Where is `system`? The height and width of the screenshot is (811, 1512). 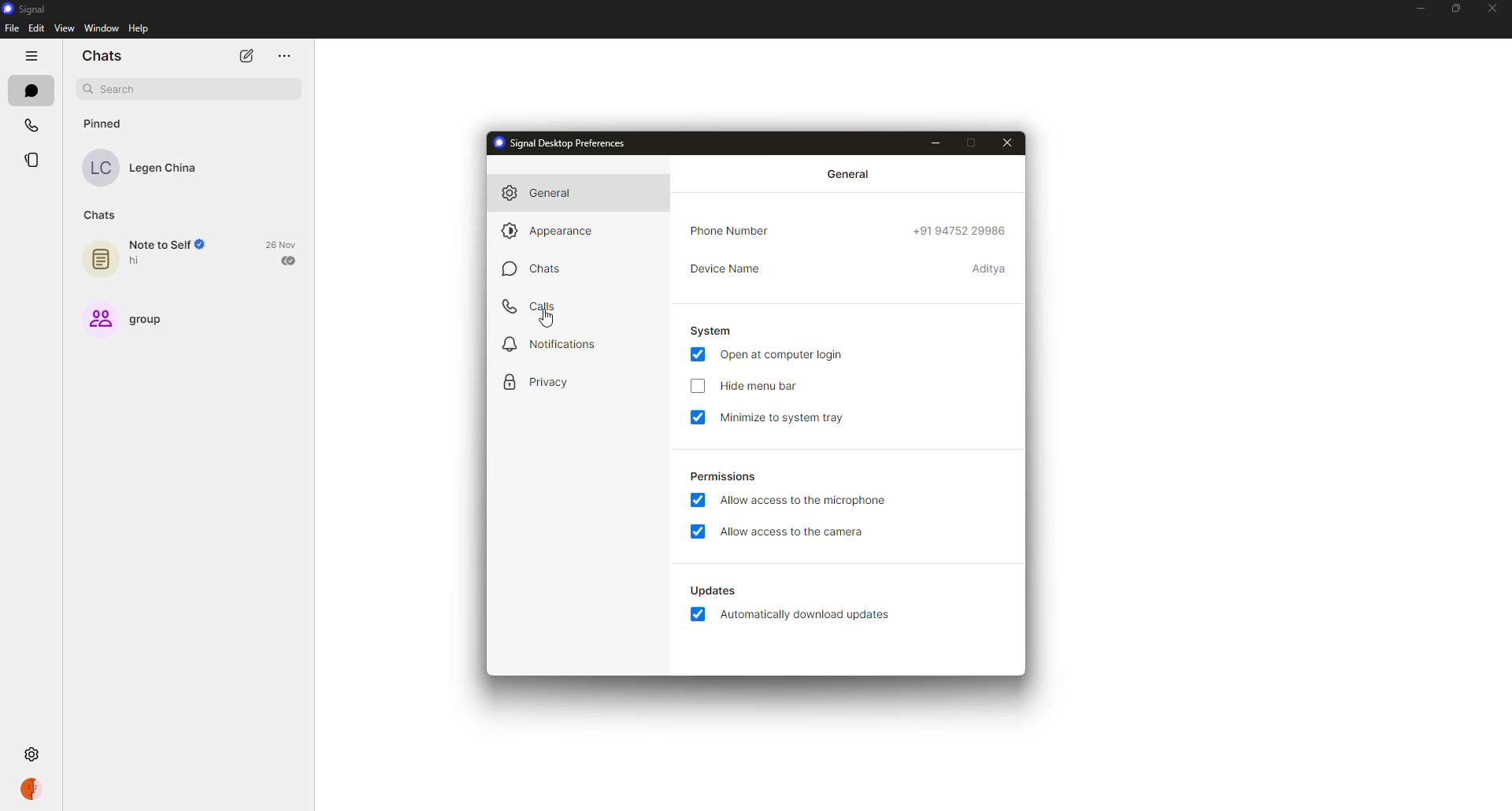 system is located at coordinates (709, 331).